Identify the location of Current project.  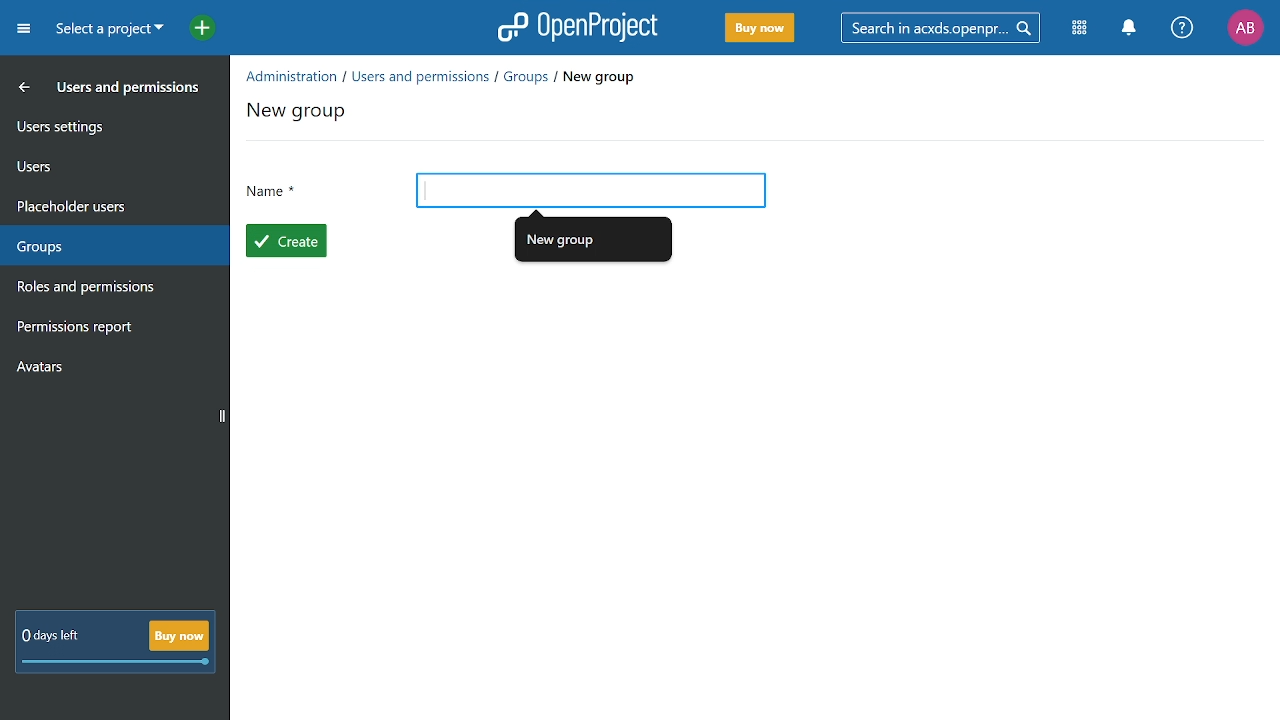
(109, 30).